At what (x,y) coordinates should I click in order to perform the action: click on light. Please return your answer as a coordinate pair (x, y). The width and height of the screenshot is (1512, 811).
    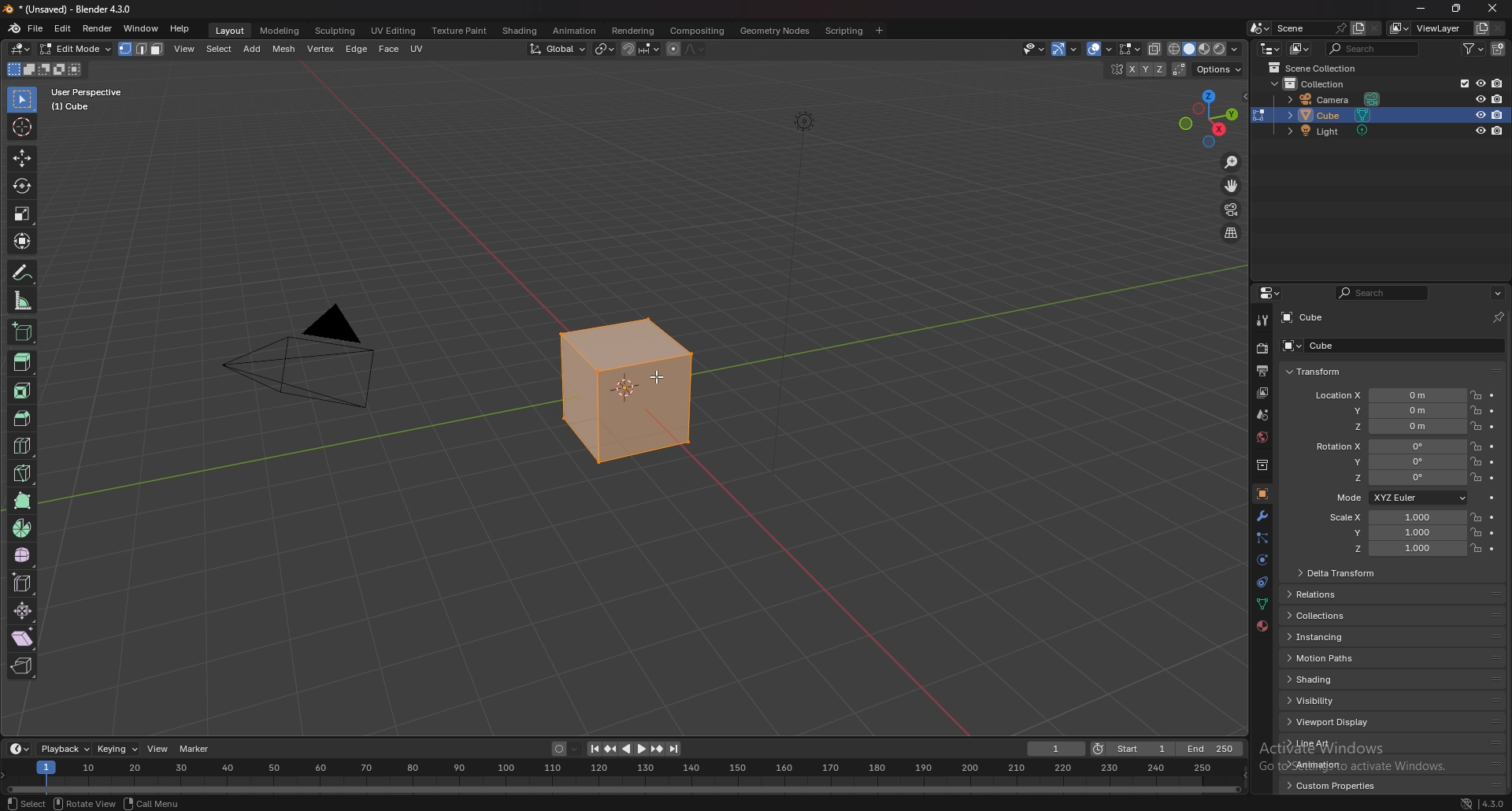
    Looking at the image, I should click on (1332, 130).